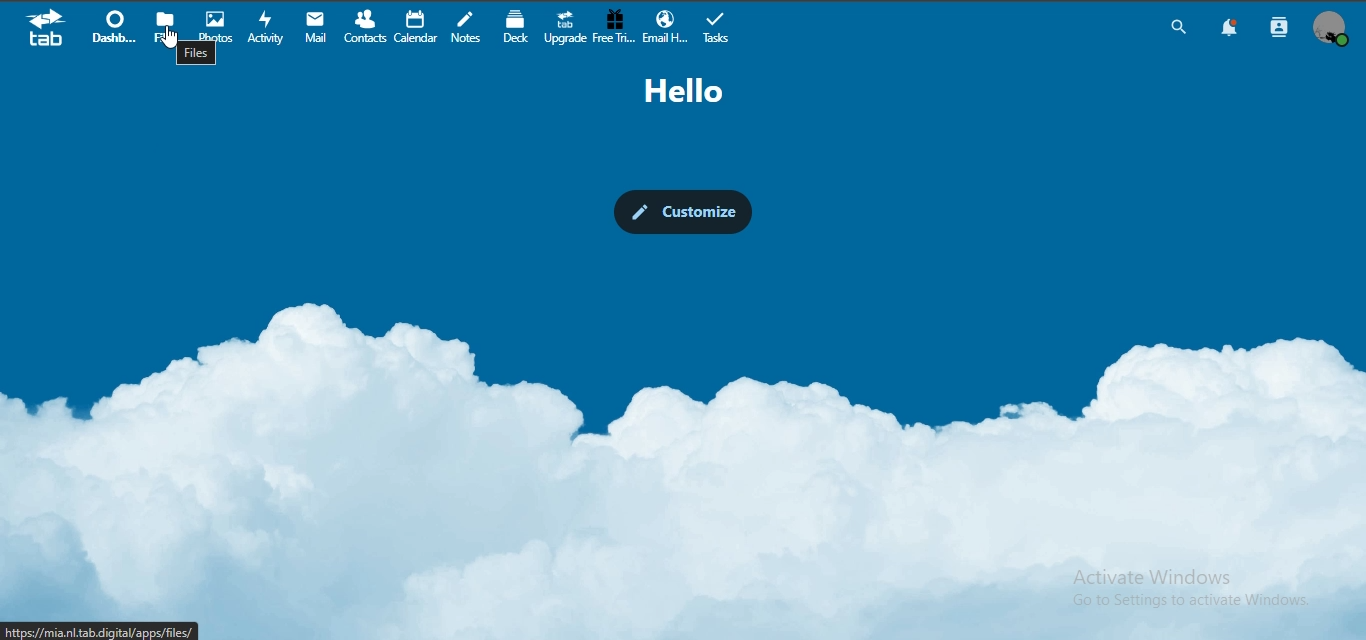  Describe the element at coordinates (47, 30) in the screenshot. I see `tab` at that location.